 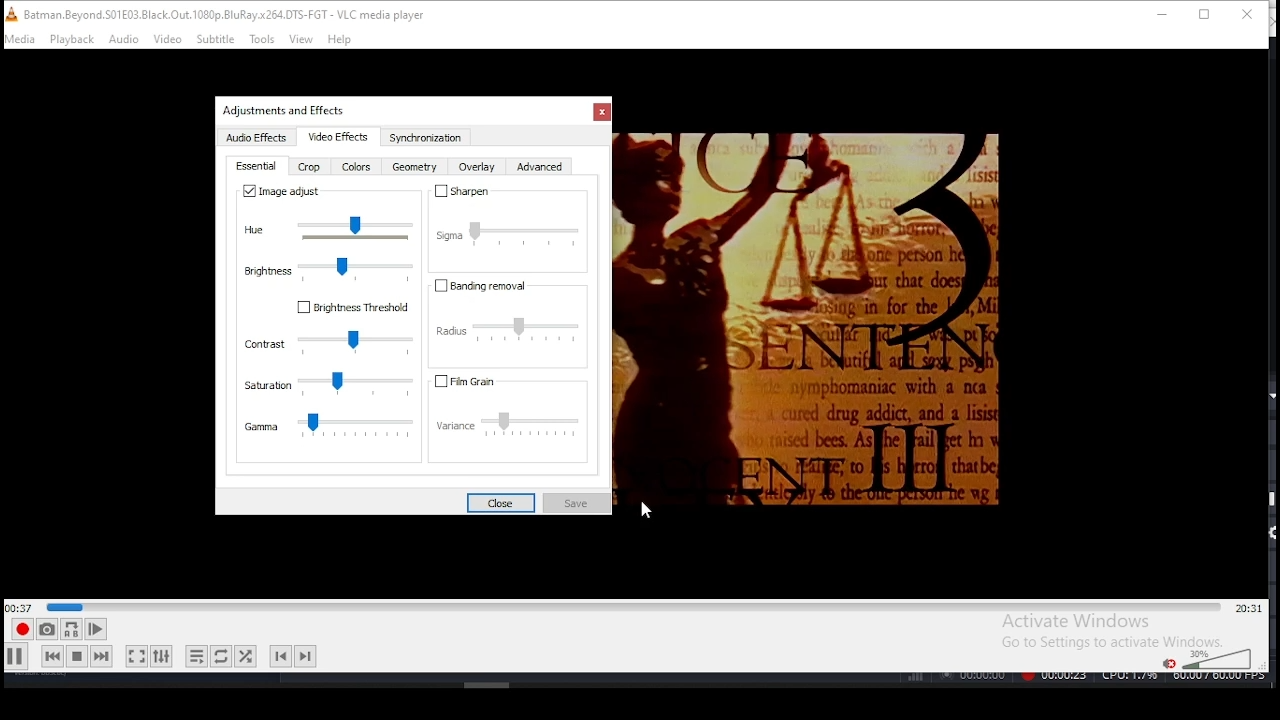 I want to click on , so click(x=807, y=318).